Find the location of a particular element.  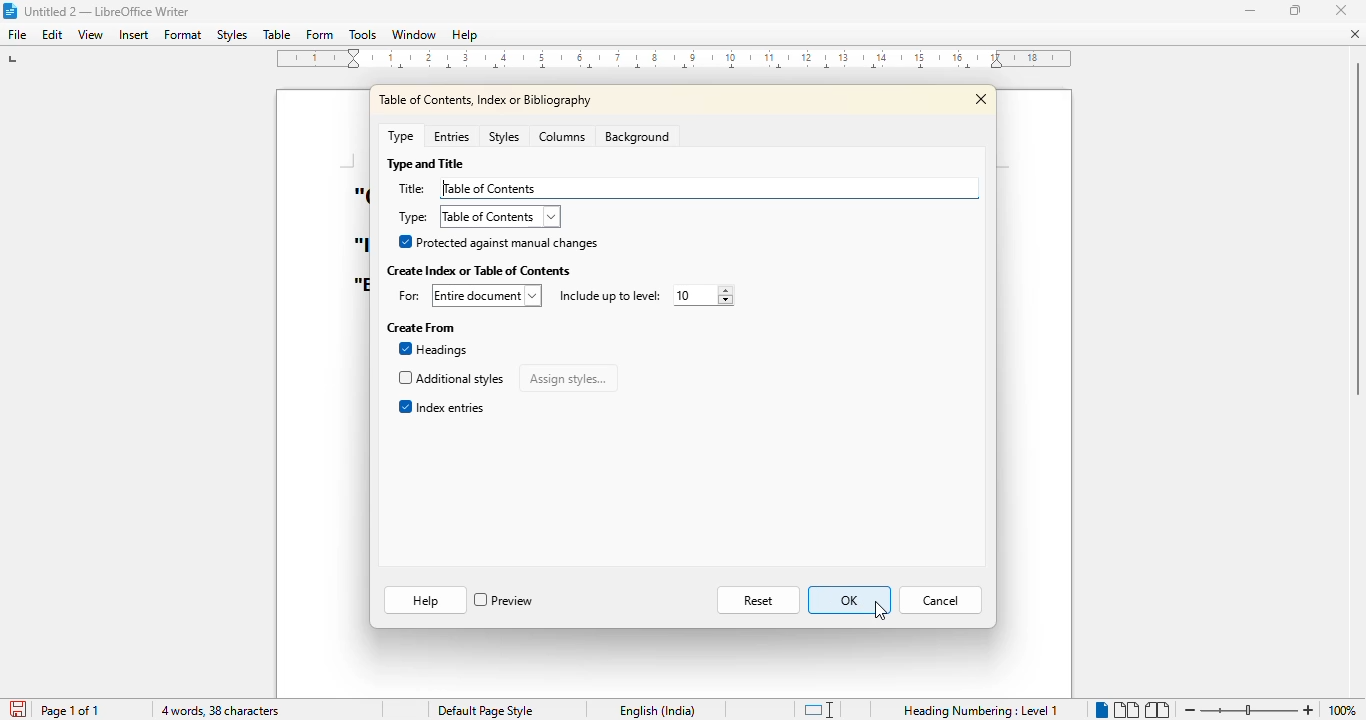

increment or decrement index level is located at coordinates (698, 295).